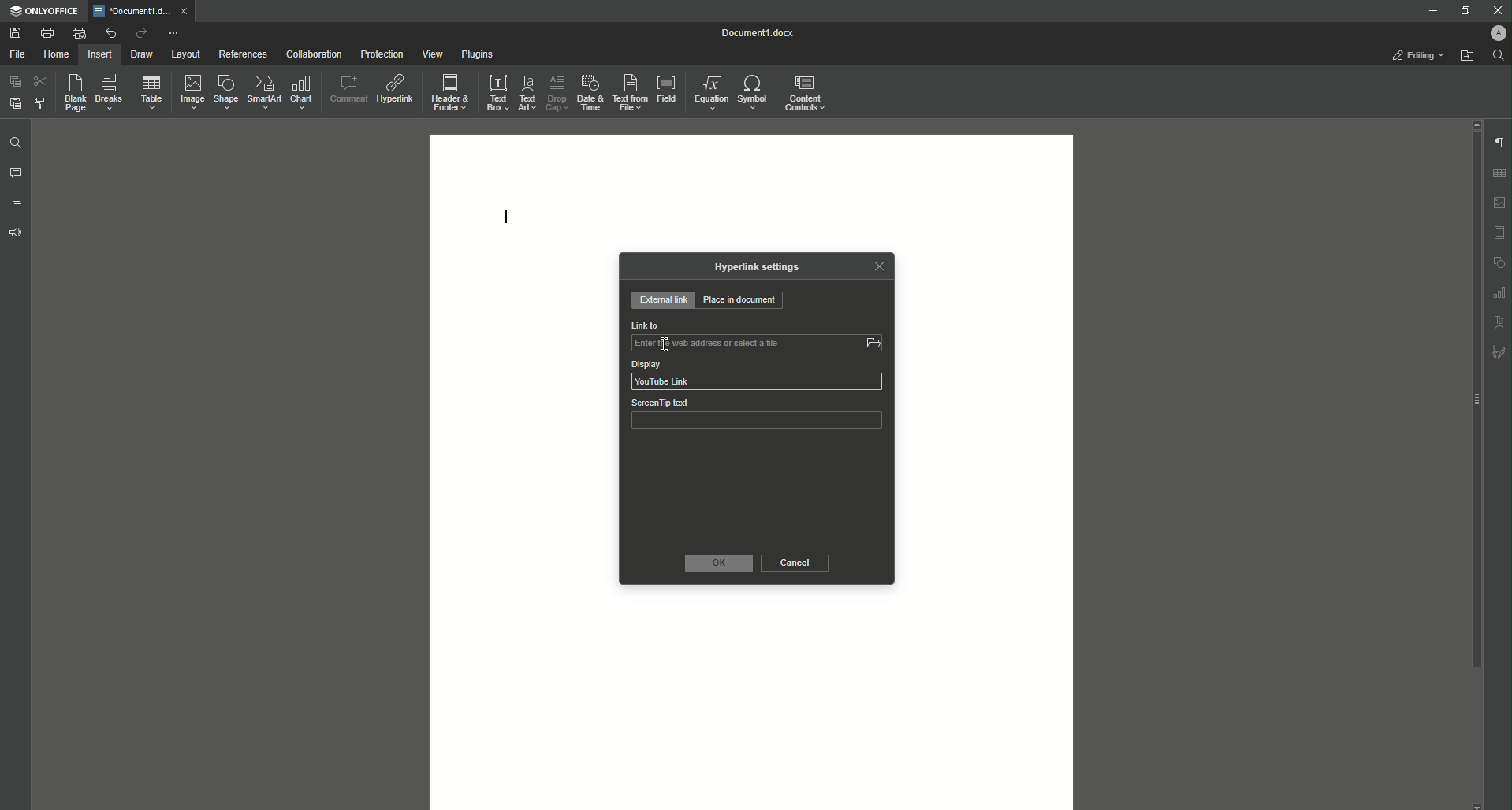 The image size is (1512, 810). What do you see at coordinates (758, 423) in the screenshot?
I see `ScreenTip text` at bounding box center [758, 423].